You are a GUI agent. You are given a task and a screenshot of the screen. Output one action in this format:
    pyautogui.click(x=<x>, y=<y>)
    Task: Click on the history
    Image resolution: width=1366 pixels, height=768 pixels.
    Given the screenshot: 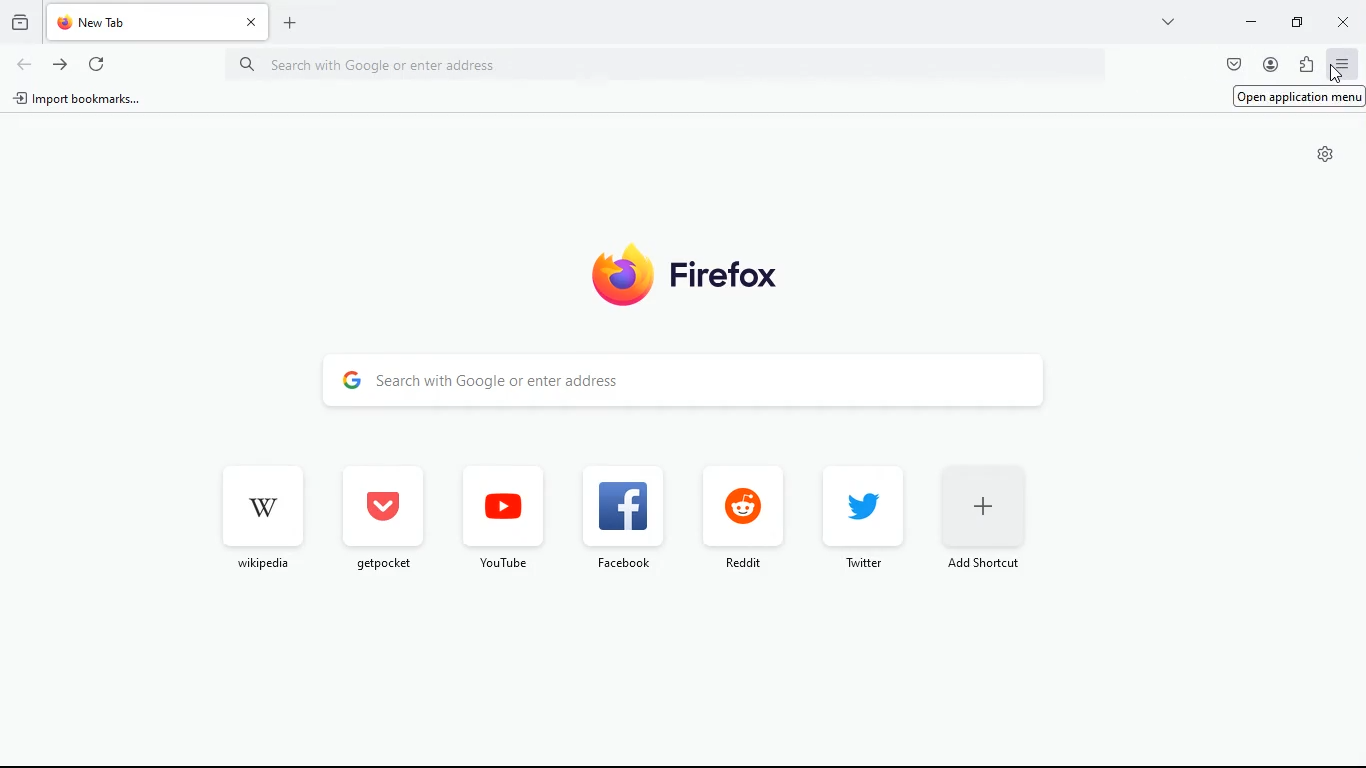 What is the action you would take?
    pyautogui.click(x=20, y=22)
    